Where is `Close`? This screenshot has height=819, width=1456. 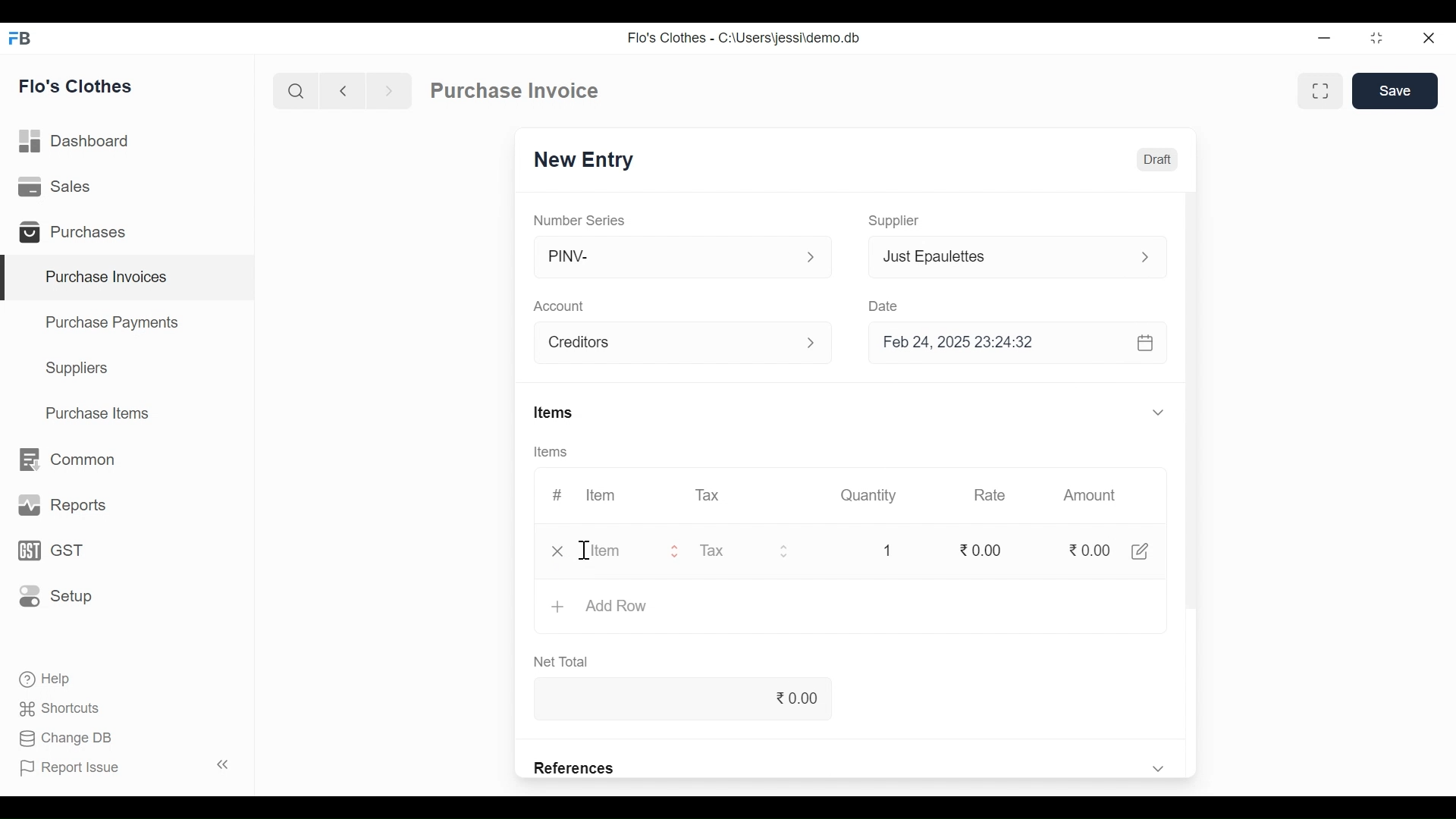 Close is located at coordinates (1429, 38).